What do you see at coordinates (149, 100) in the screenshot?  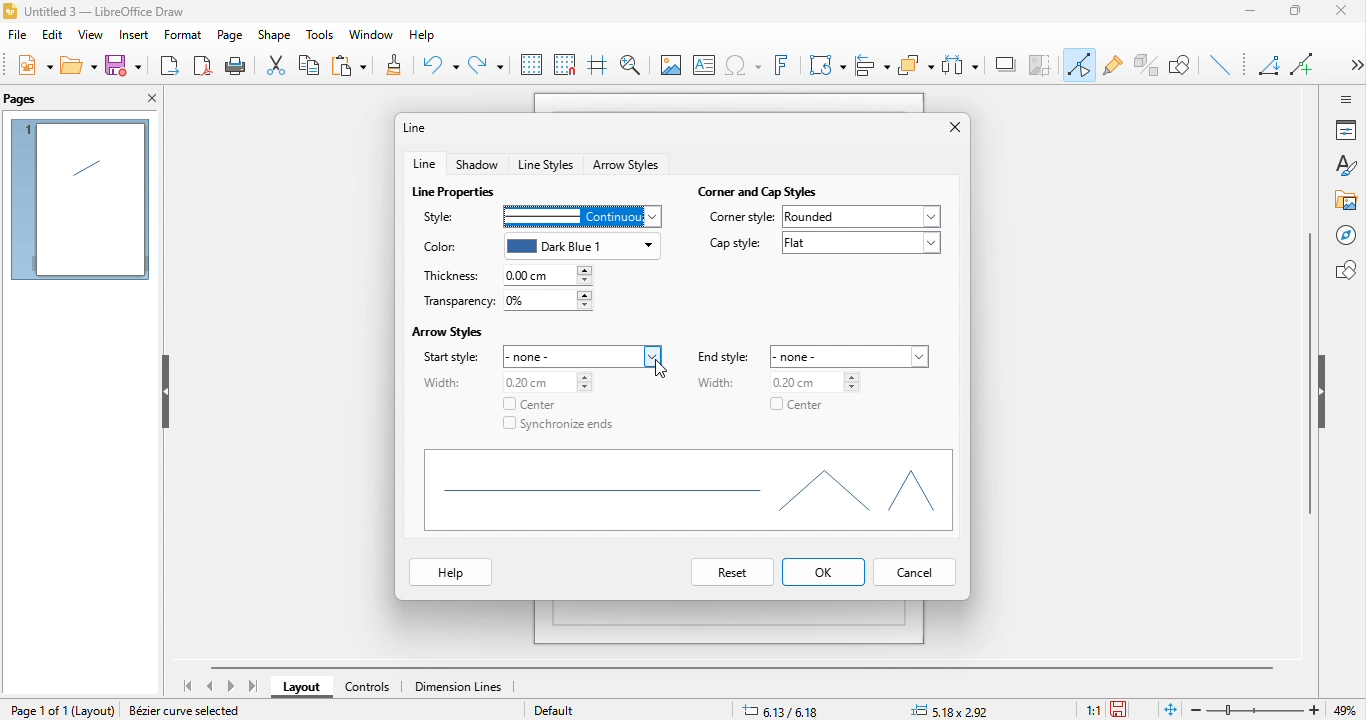 I see `close` at bounding box center [149, 100].